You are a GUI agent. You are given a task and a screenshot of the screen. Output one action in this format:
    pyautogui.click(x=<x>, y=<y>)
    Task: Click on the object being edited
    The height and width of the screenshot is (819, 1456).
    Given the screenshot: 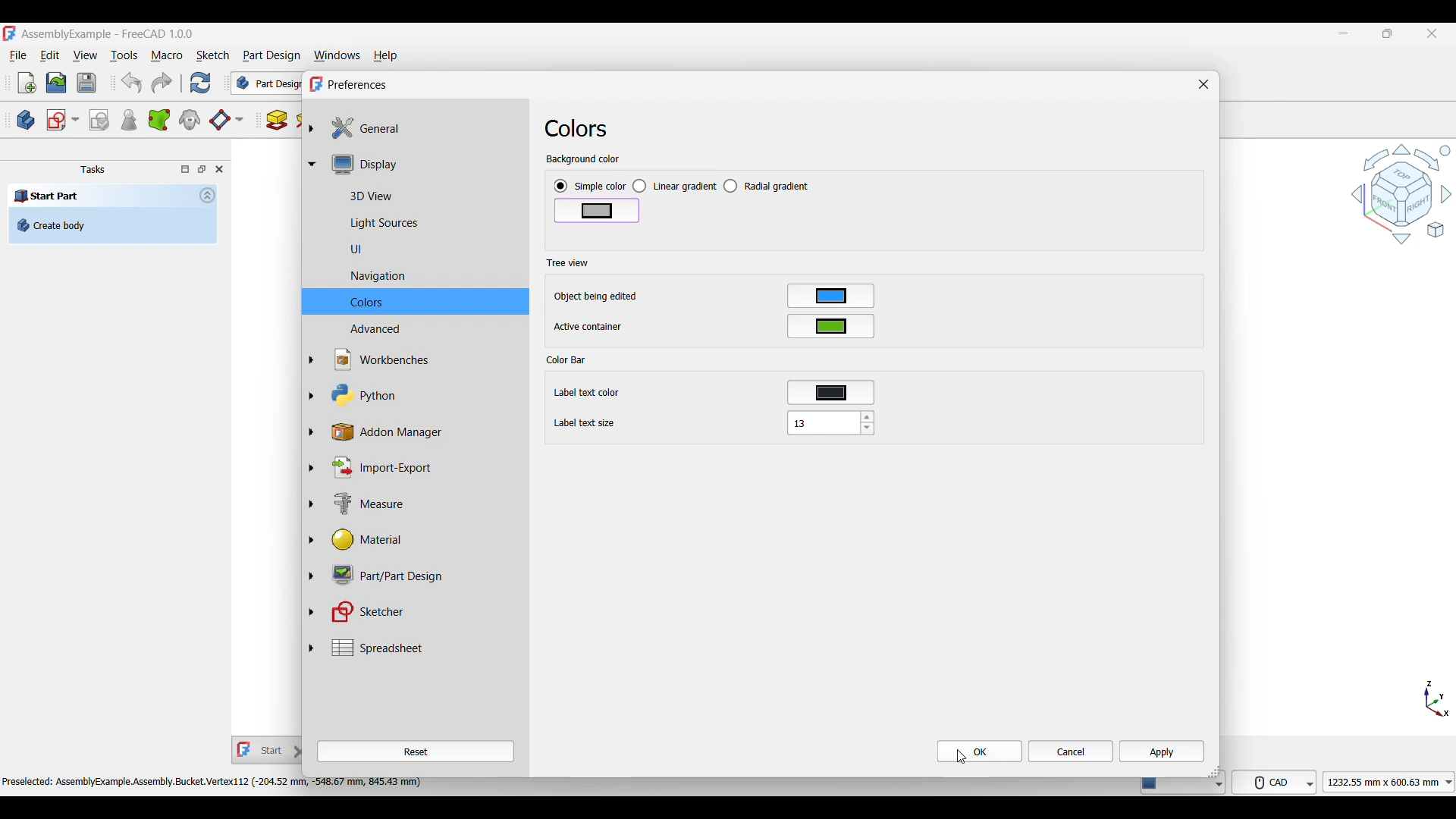 What is the action you would take?
    pyautogui.click(x=596, y=297)
    